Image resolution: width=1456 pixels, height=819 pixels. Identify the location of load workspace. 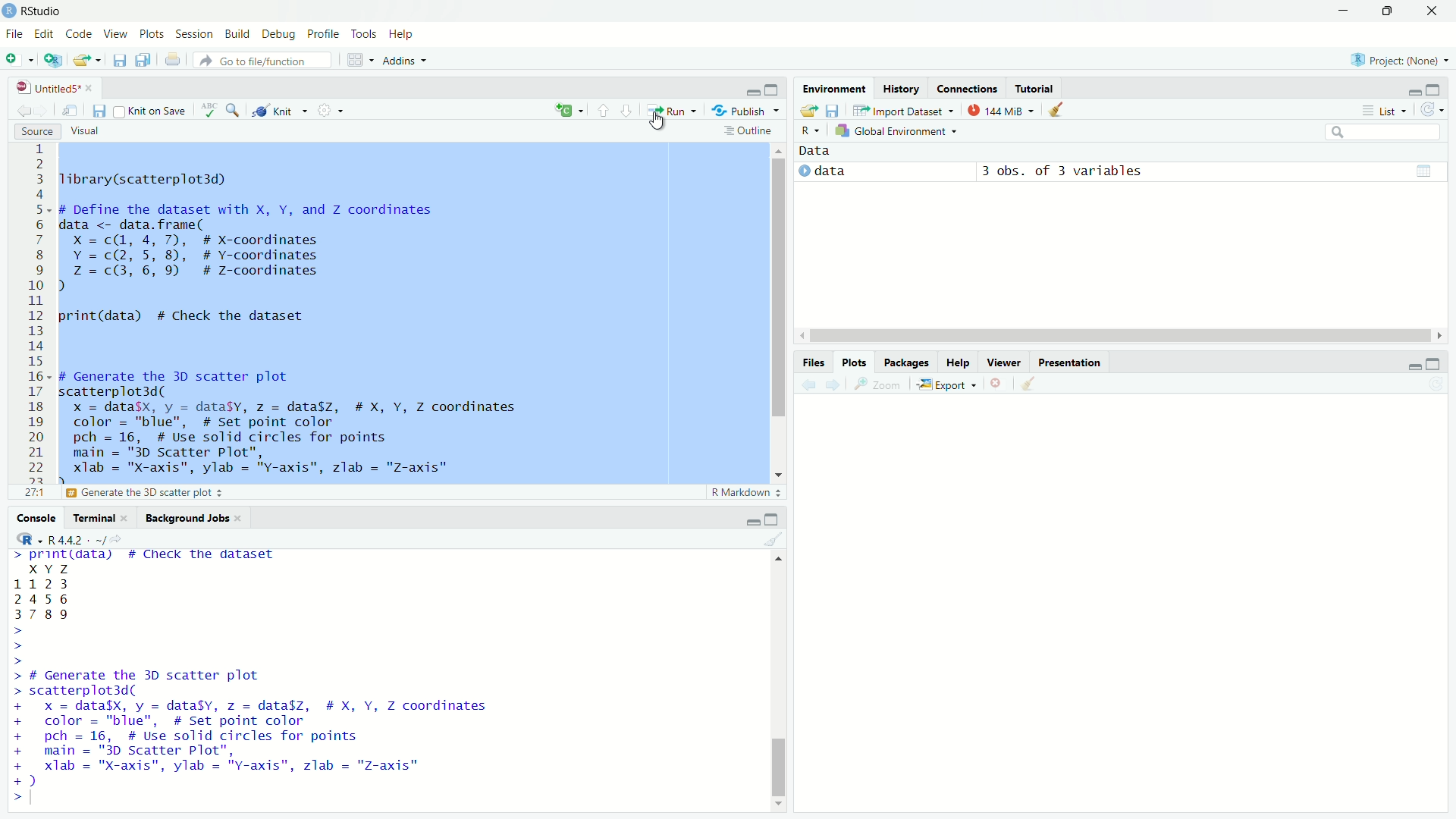
(808, 110).